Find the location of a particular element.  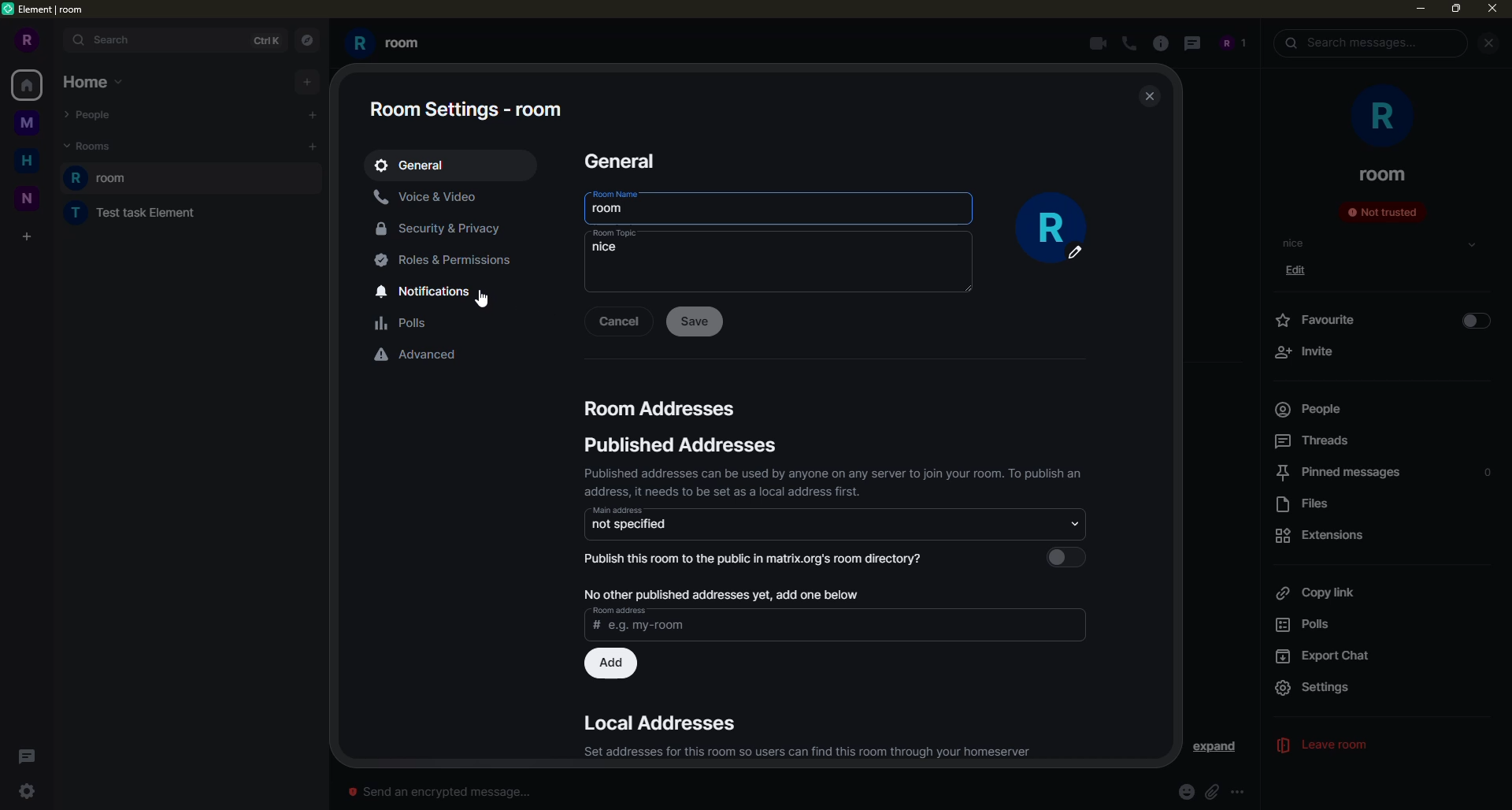

emoji is located at coordinates (1180, 790).